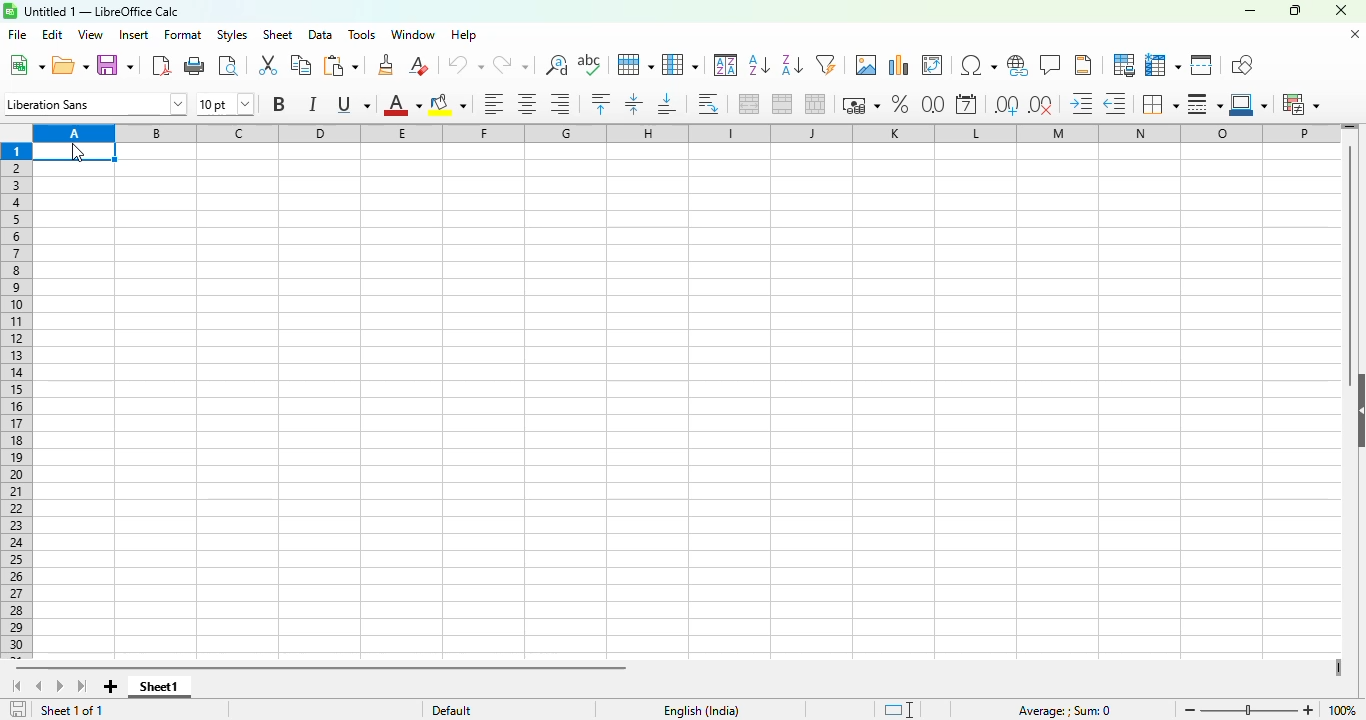 This screenshot has width=1366, height=720. Describe the element at coordinates (418, 65) in the screenshot. I see `clear direct formatting` at that location.